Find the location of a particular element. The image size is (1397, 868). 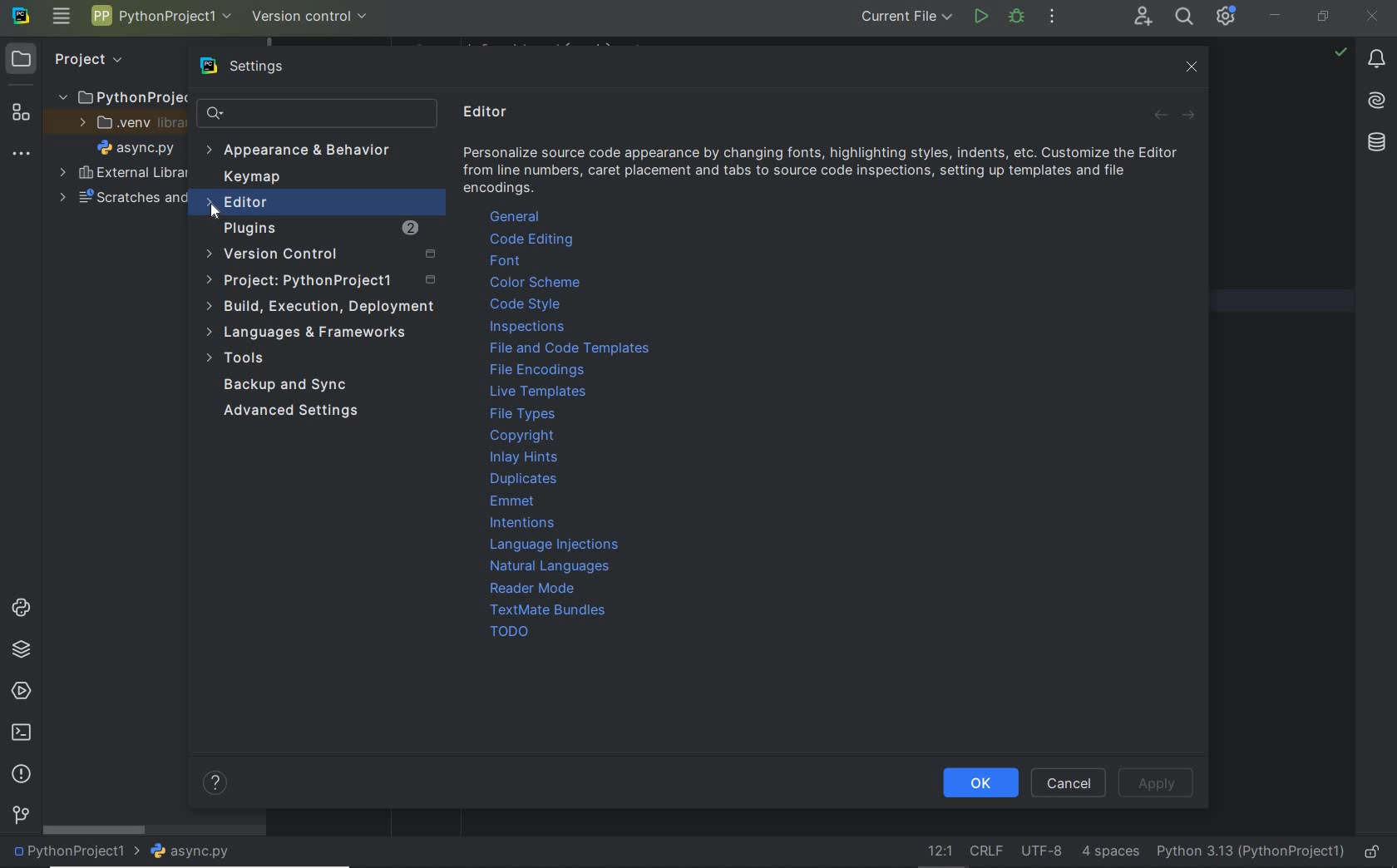

.venv is located at coordinates (126, 126).